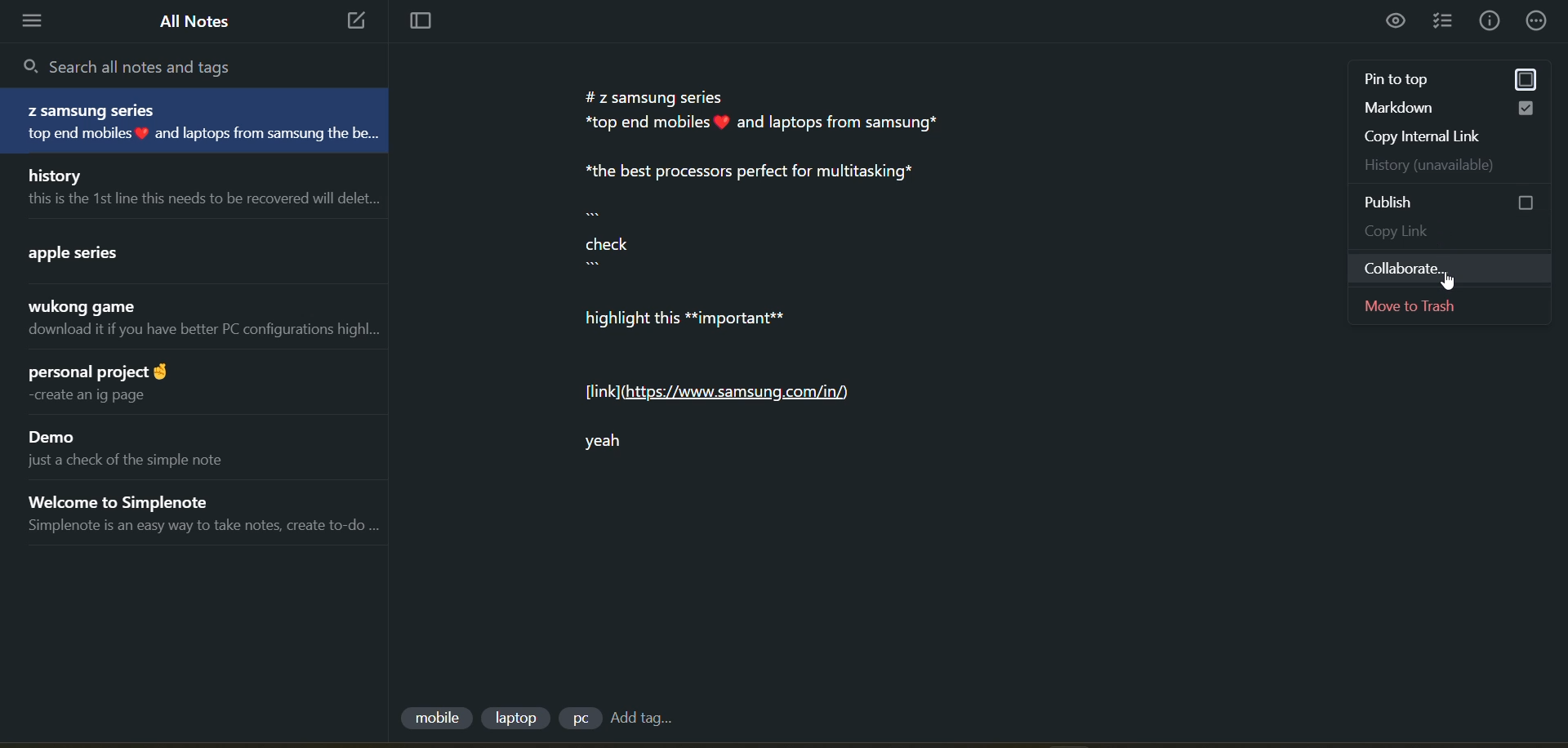 The image size is (1568, 748). I want to click on info, so click(1490, 21).